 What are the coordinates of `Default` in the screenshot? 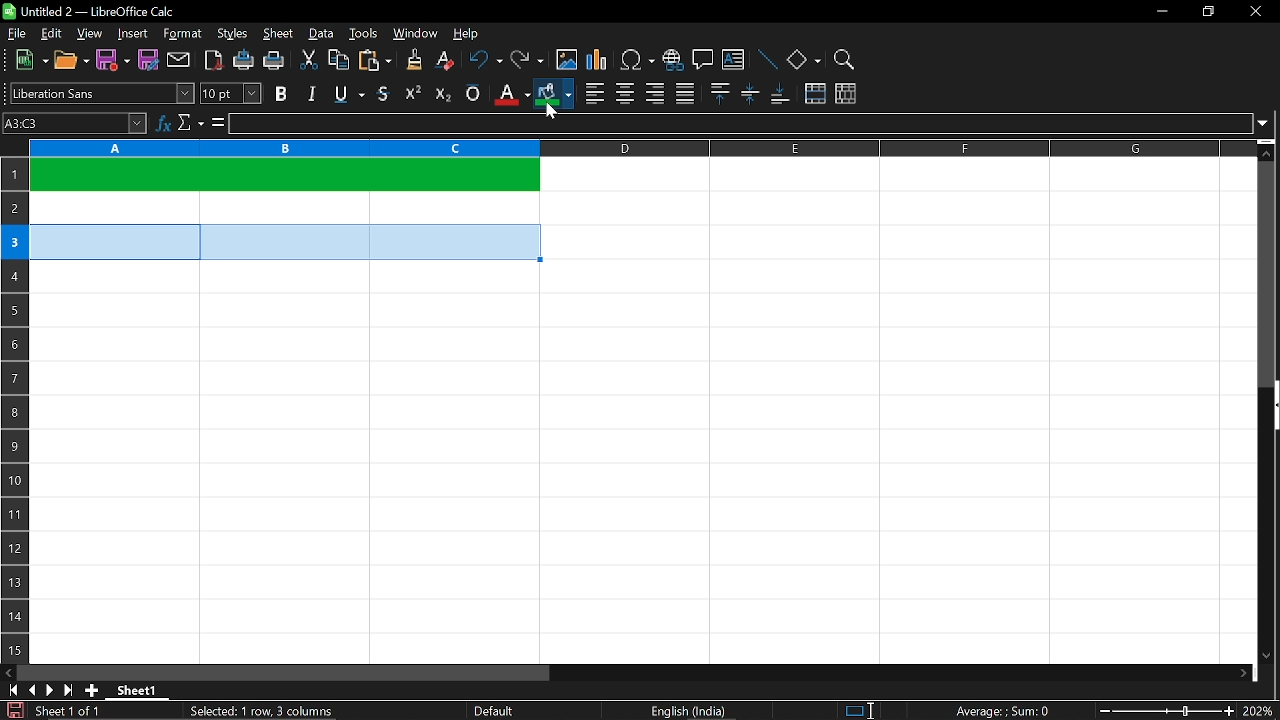 It's located at (497, 711).